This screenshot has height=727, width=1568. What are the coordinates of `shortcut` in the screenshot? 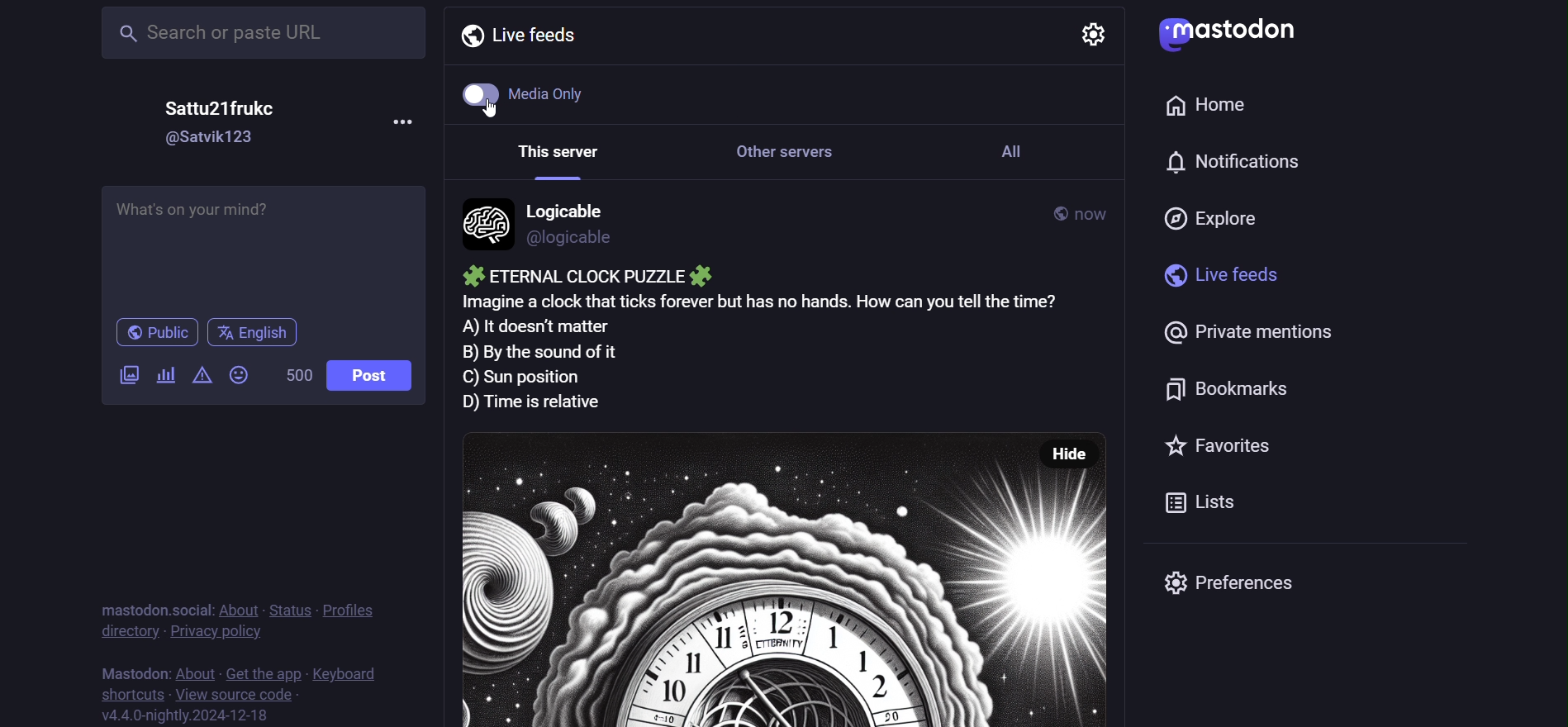 It's located at (126, 694).